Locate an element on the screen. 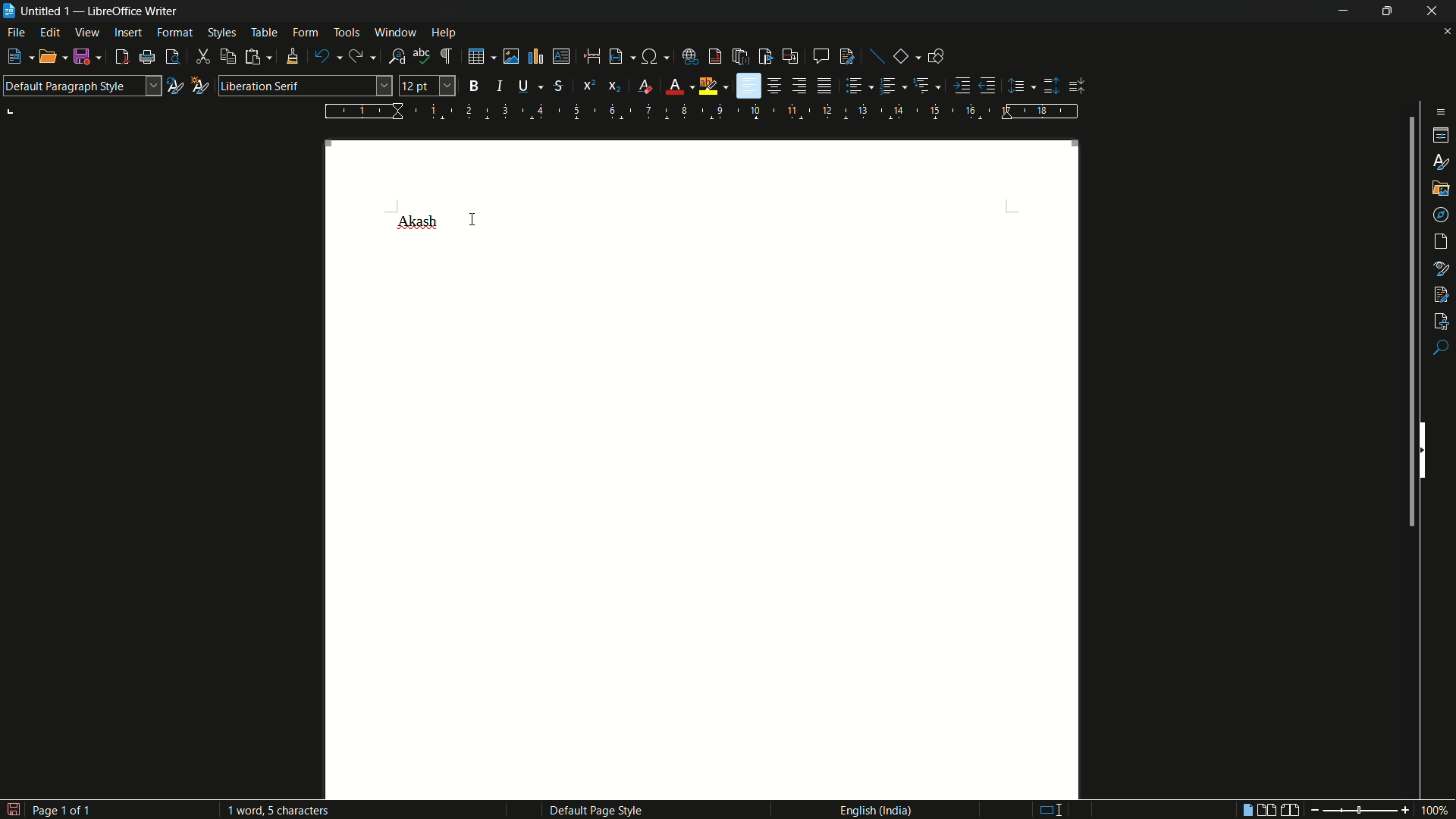 The width and height of the screenshot is (1456, 819). help menu is located at coordinates (444, 33).